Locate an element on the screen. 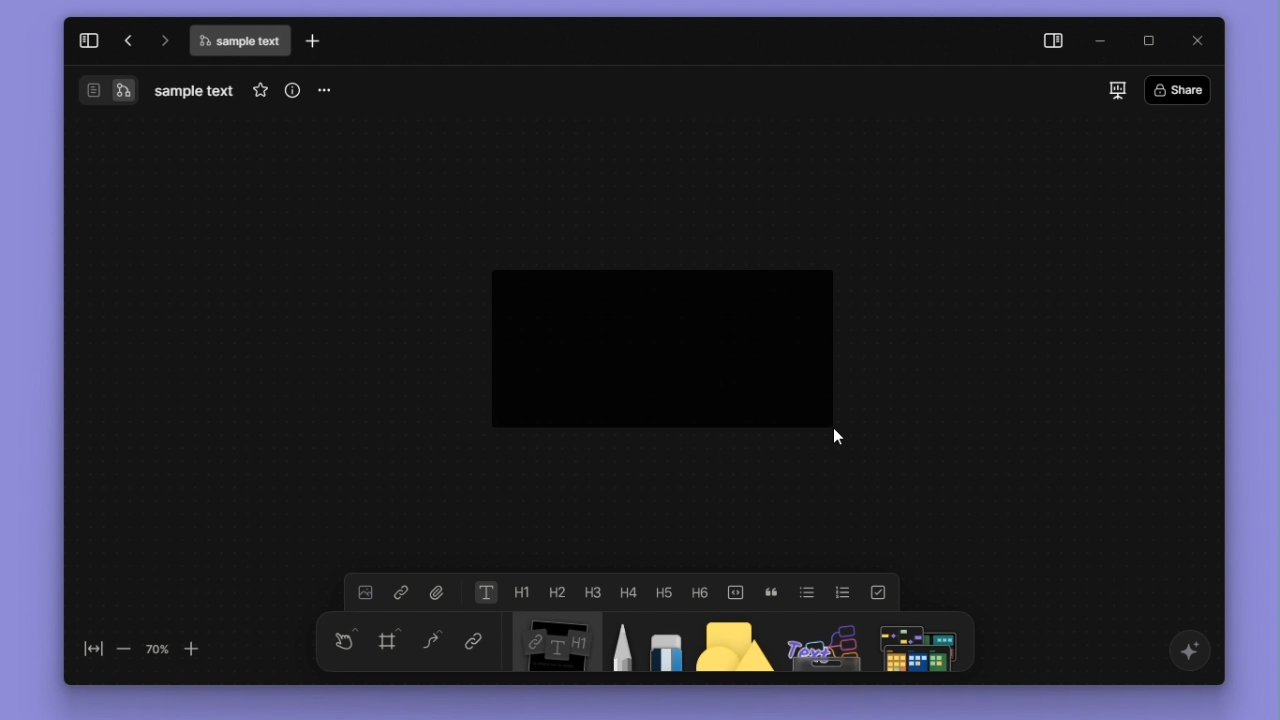 The image size is (1280, 720). fit to screen is located at coordinates (88, 650).